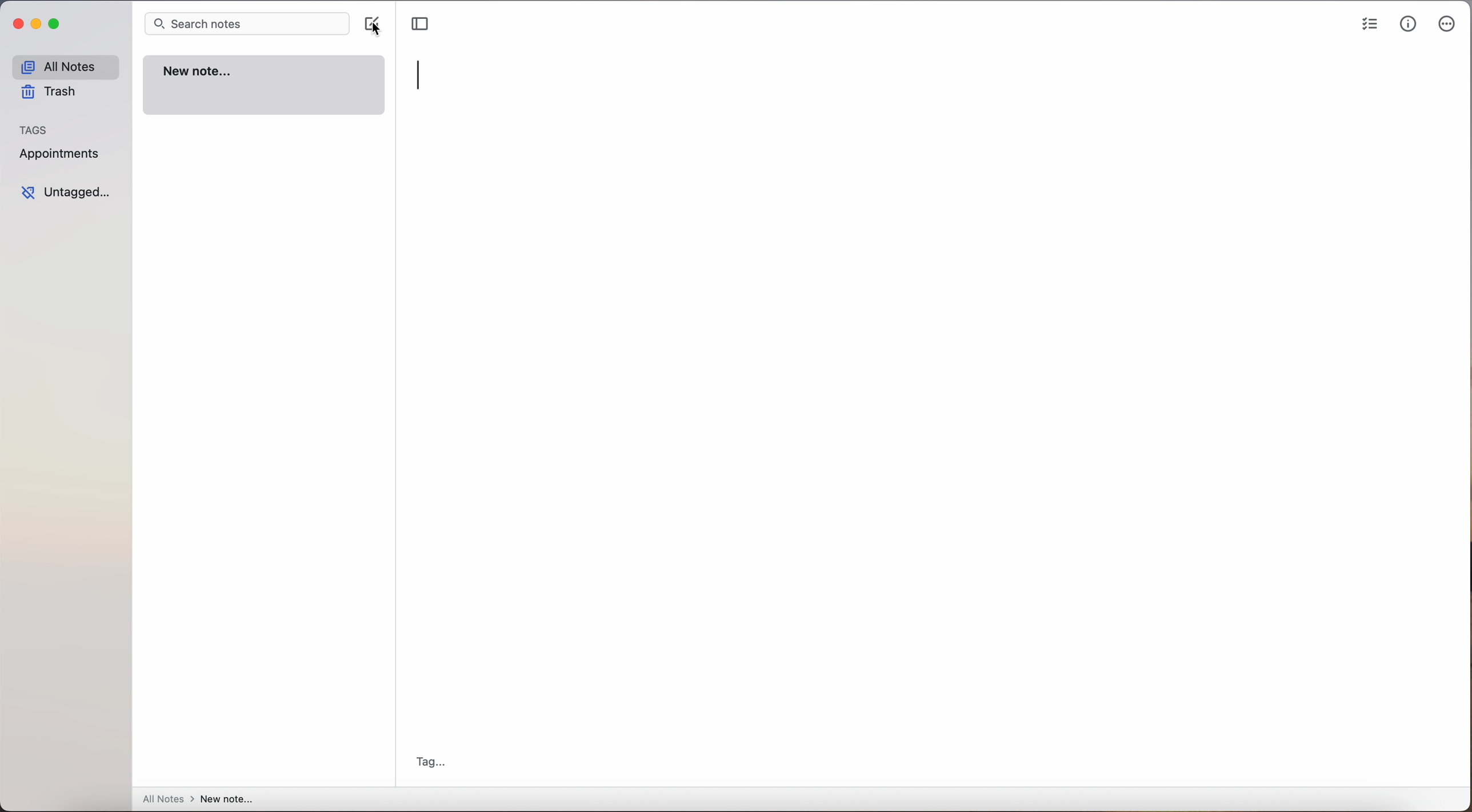 Image resolution: width=1472 pixels, height=812 pixels. I want to click on click on create note, so click(374, 26).